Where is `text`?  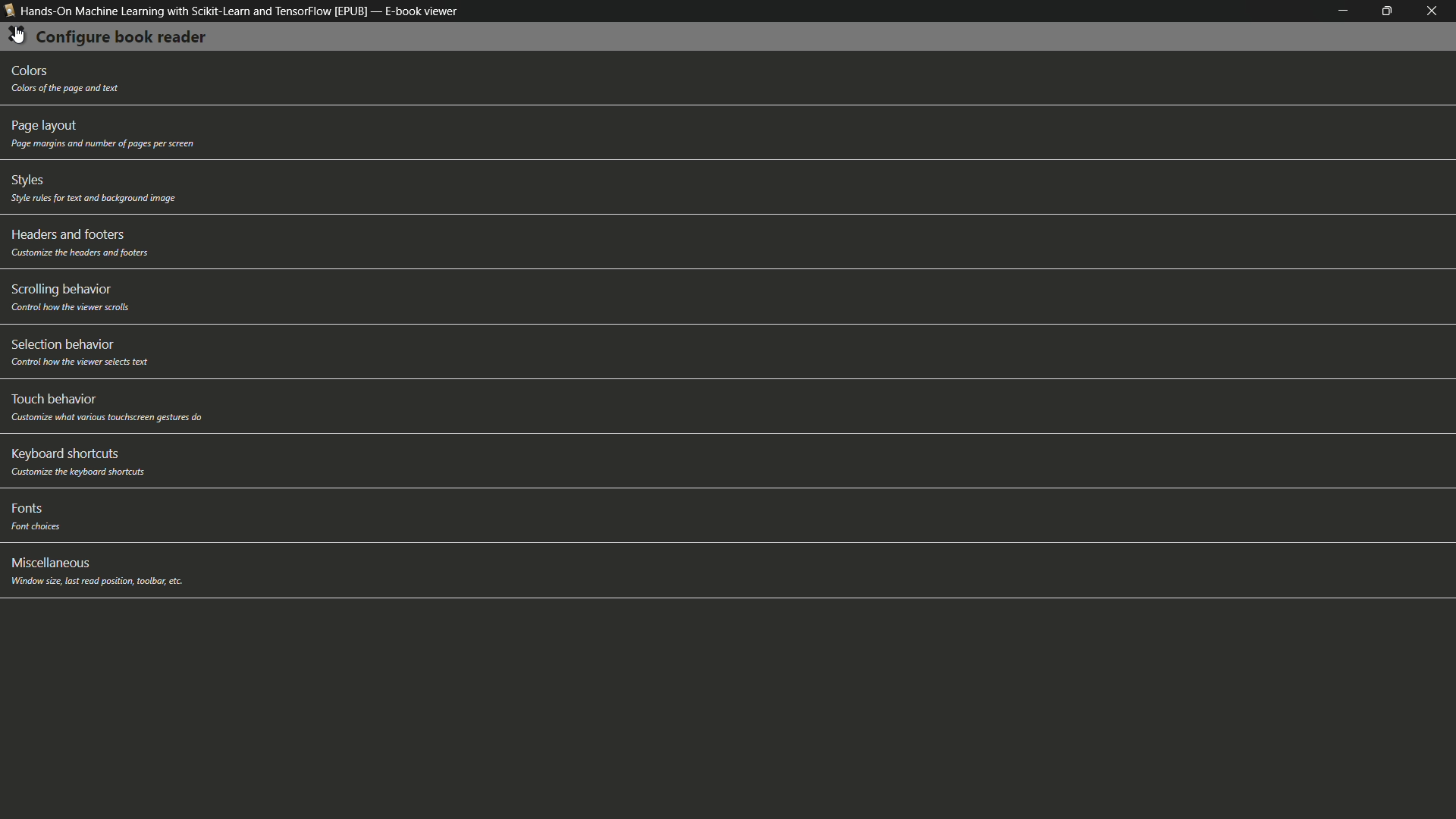
text is located at coordinates (74, 472).